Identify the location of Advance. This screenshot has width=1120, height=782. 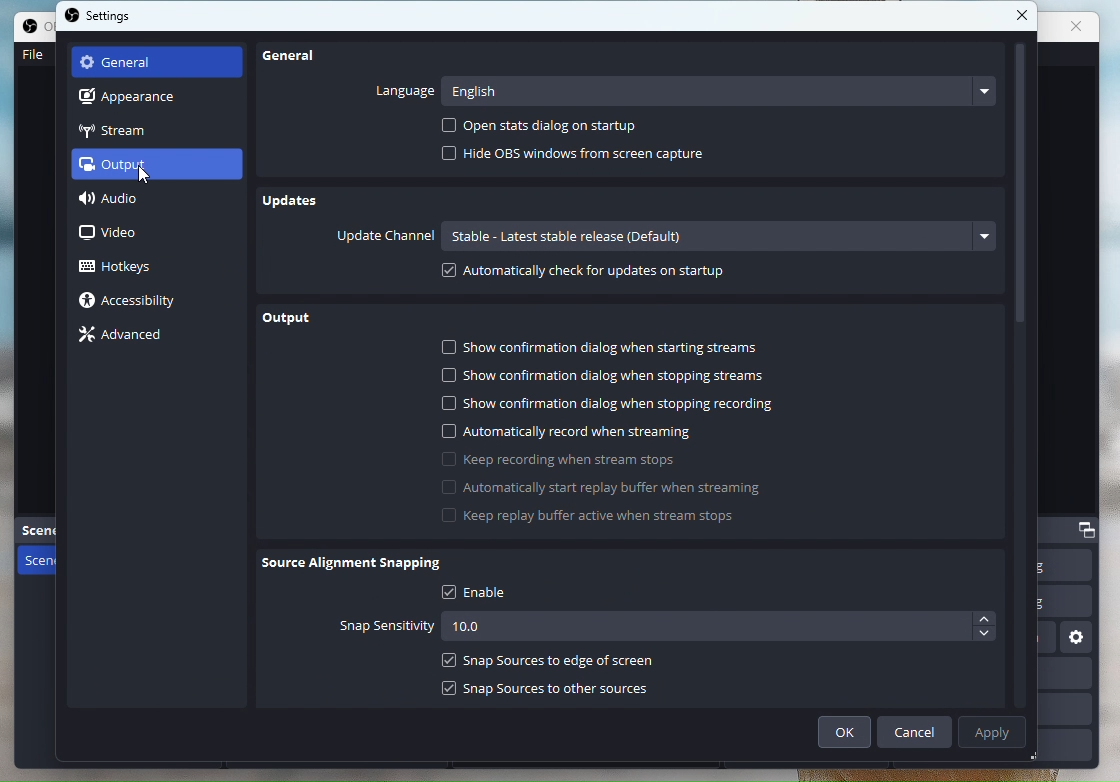
(128, 335).